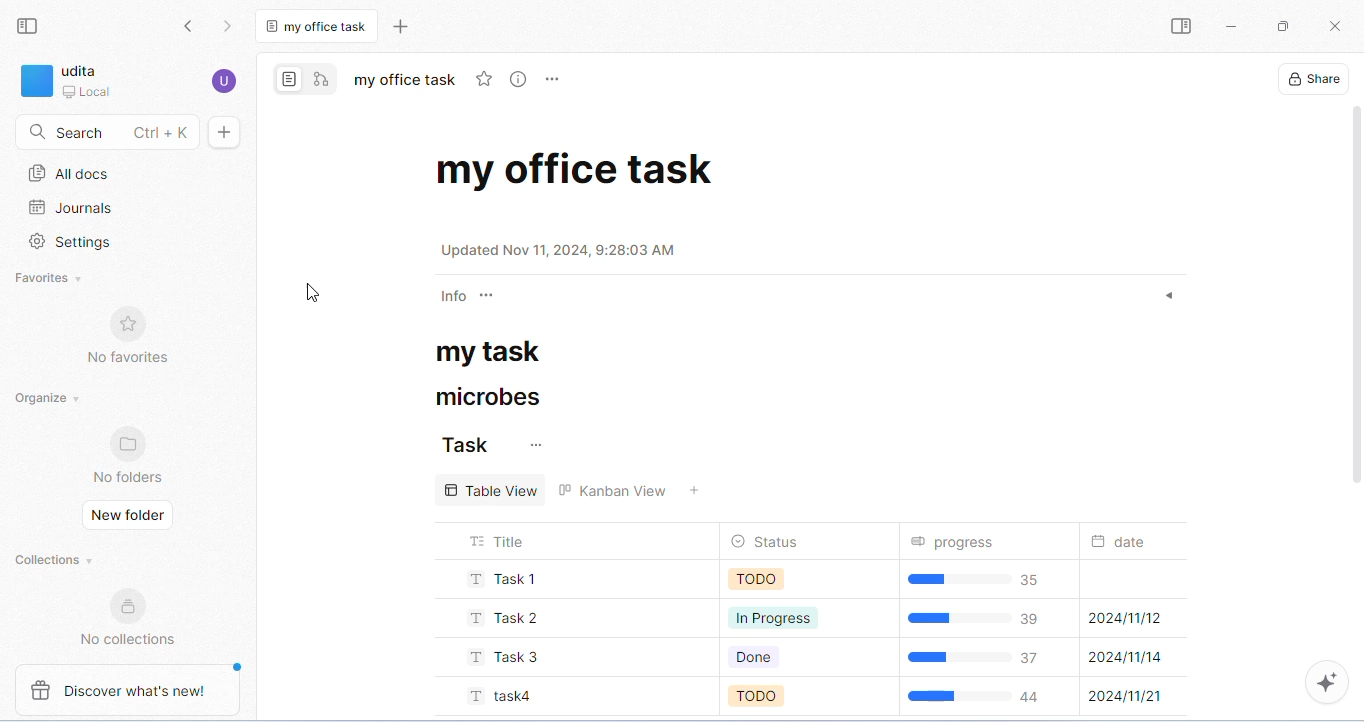 The width and height of the screenshot is (1364, 722). I want to click on task4, so click(500, 694).